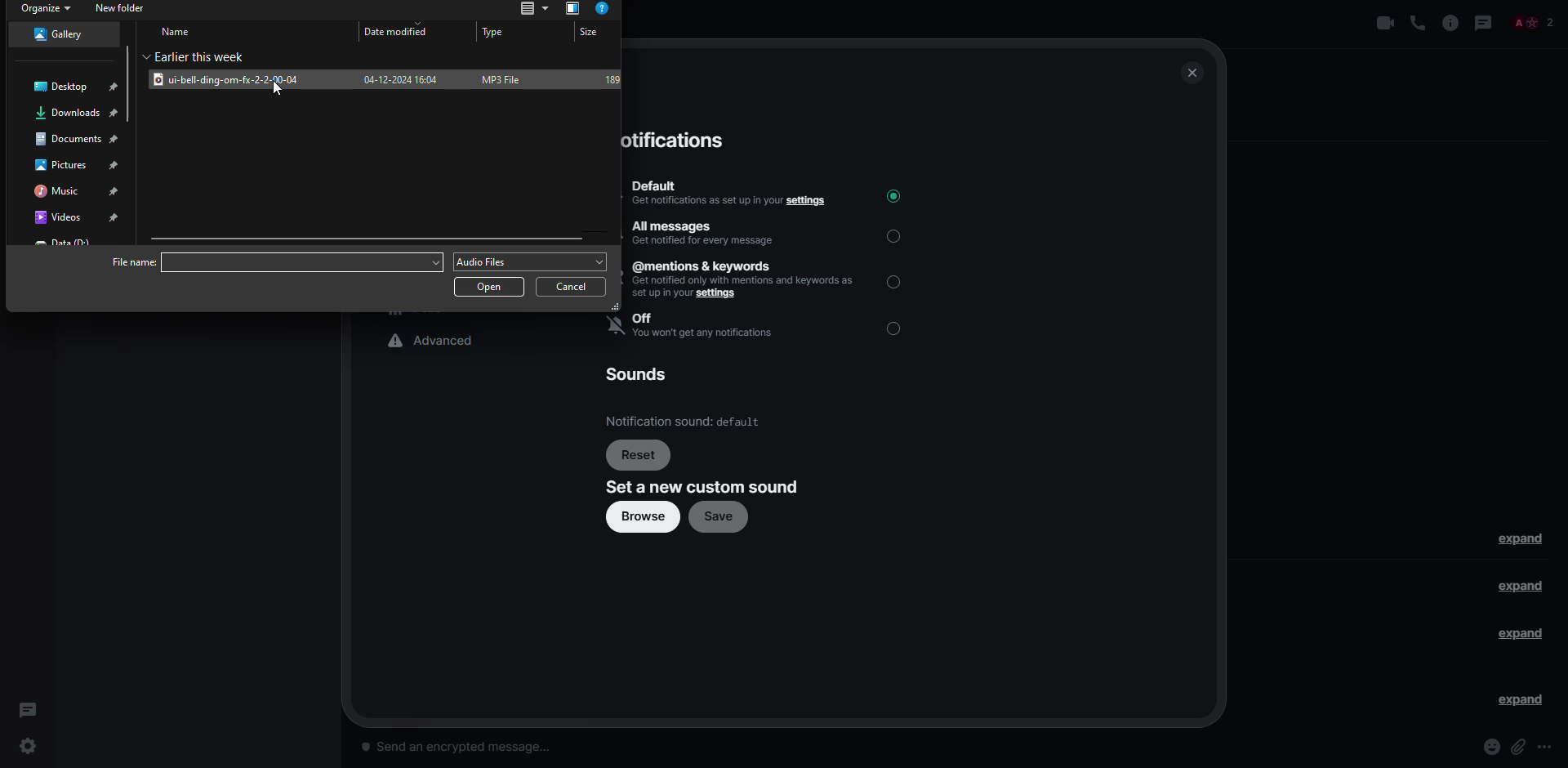 The image size is (1568, 768). What do you see at coordinates (1521, 636) in the screenshot?
I see `expand` at bounding box center [1521, 636].